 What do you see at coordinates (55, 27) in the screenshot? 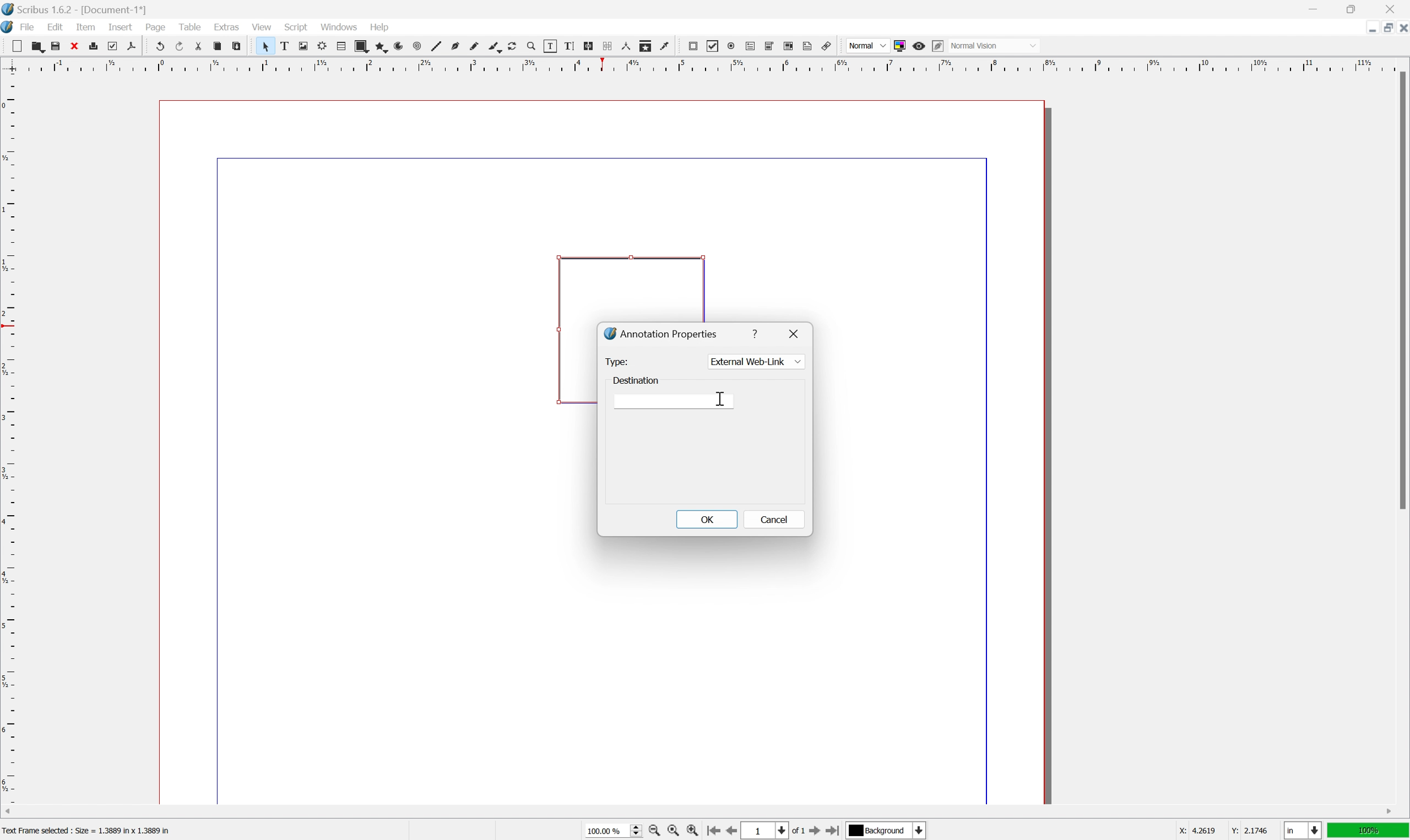
I see `edit` at bounding box center [55, 27].